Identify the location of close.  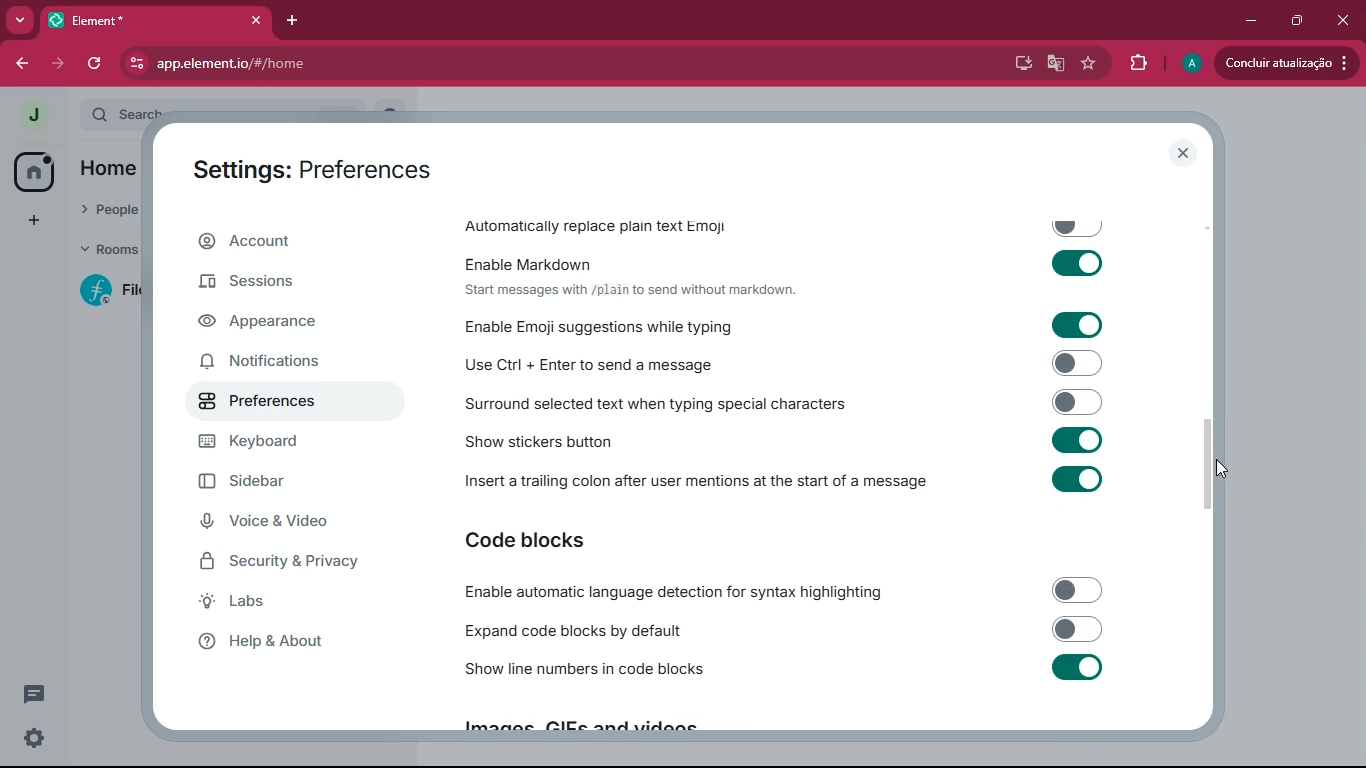
(1342, 21).